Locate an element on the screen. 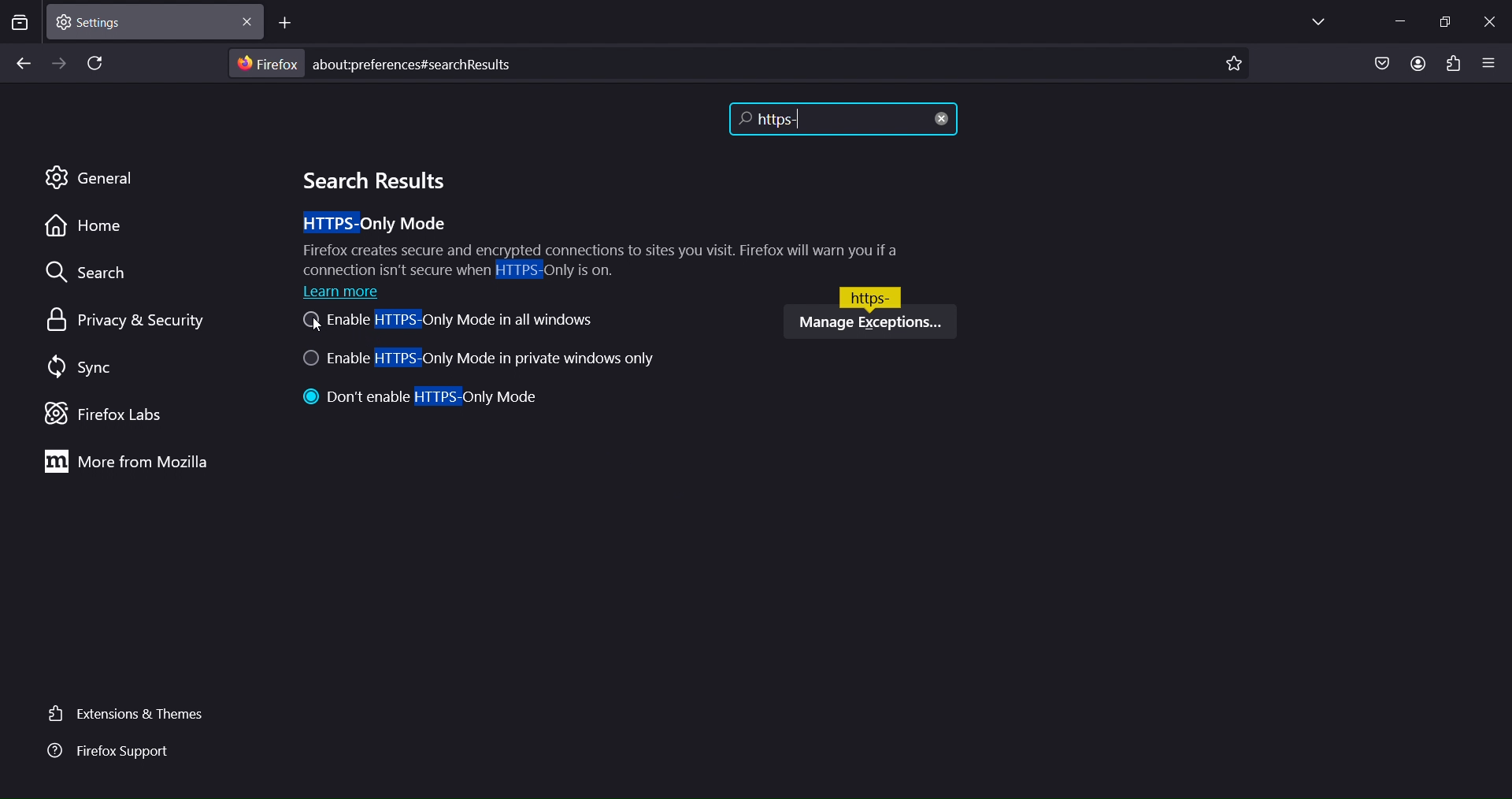 This screenshot has width=1512, height=799. search tabs is located at coordinates (20, 24).